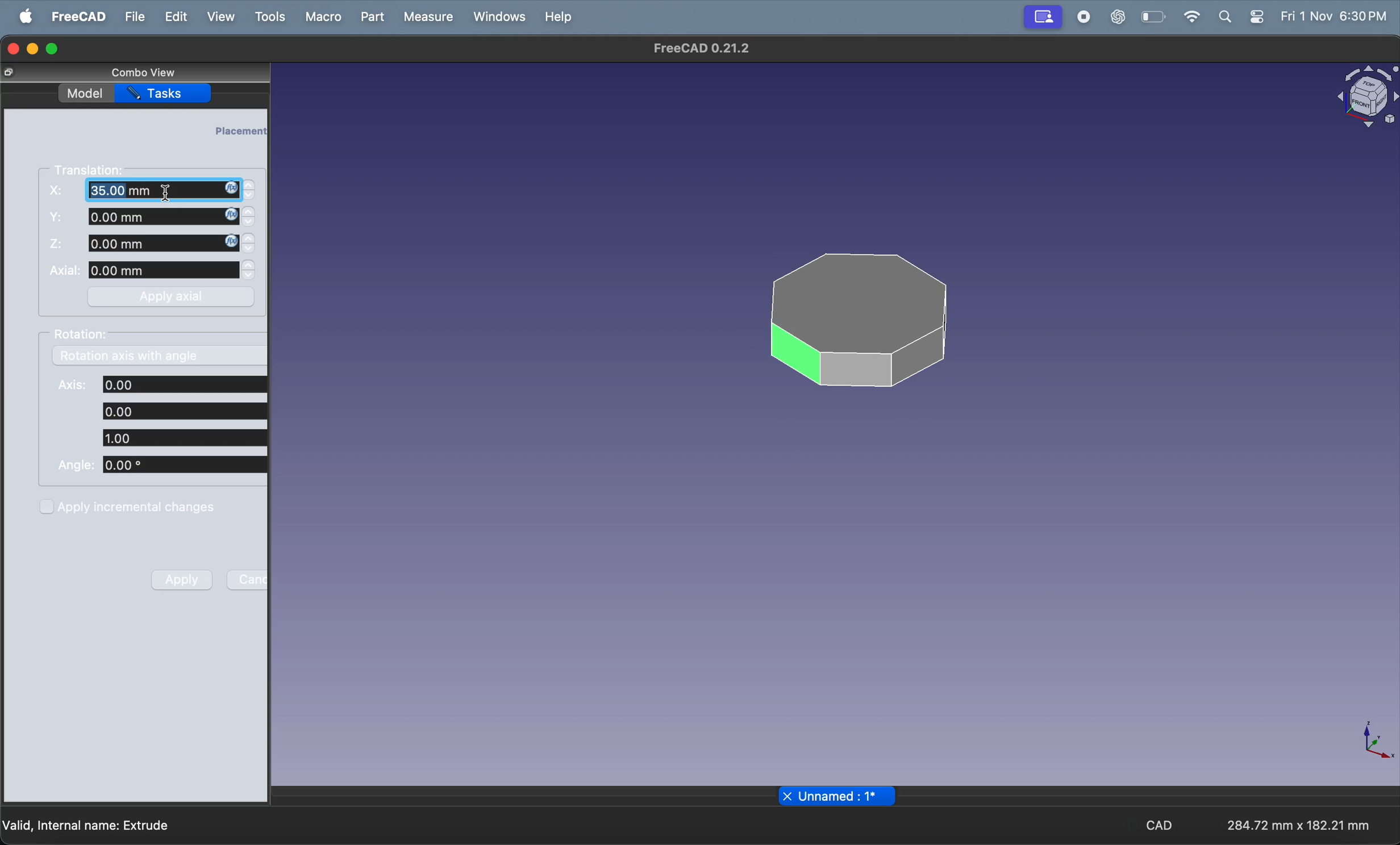 This screenshot has height=845, width=1400. What do you see at coordinates (140, 72) in the screenshot?
I see `combo view` at bounding box center [140, 72].